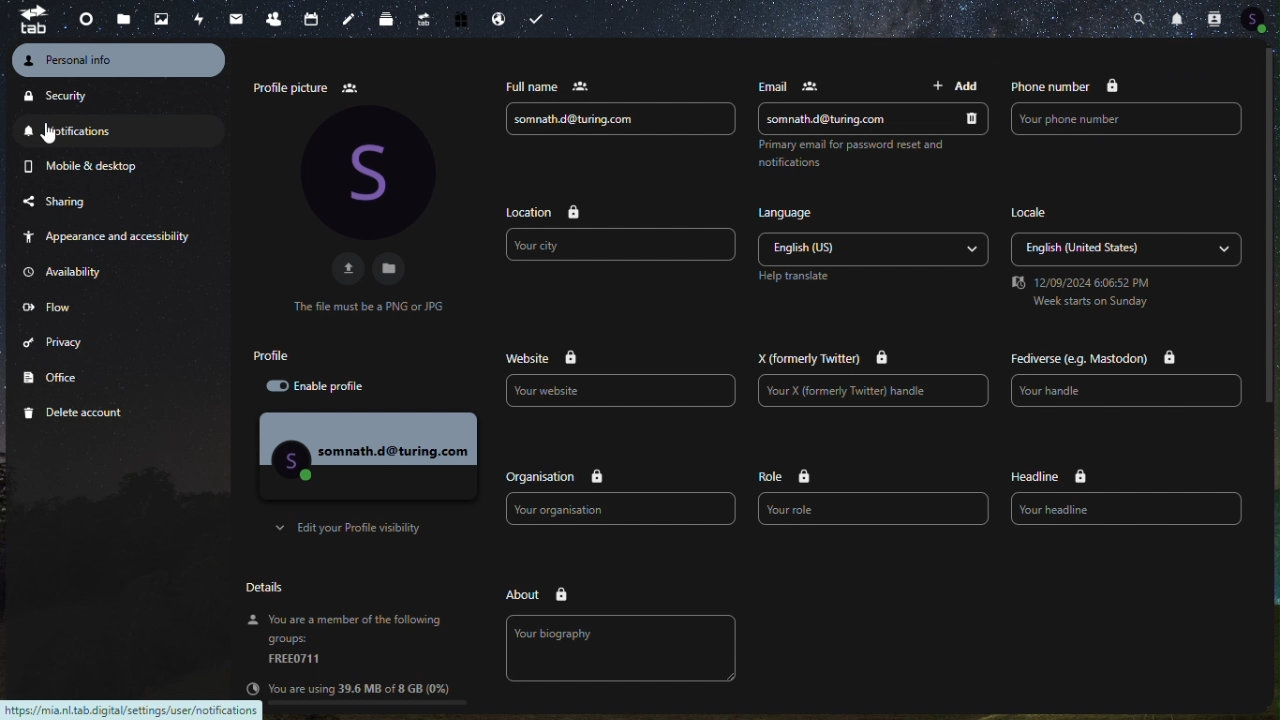  Describe the element at coordinates (533, 18) in the screenshot. I see `task` at that location.